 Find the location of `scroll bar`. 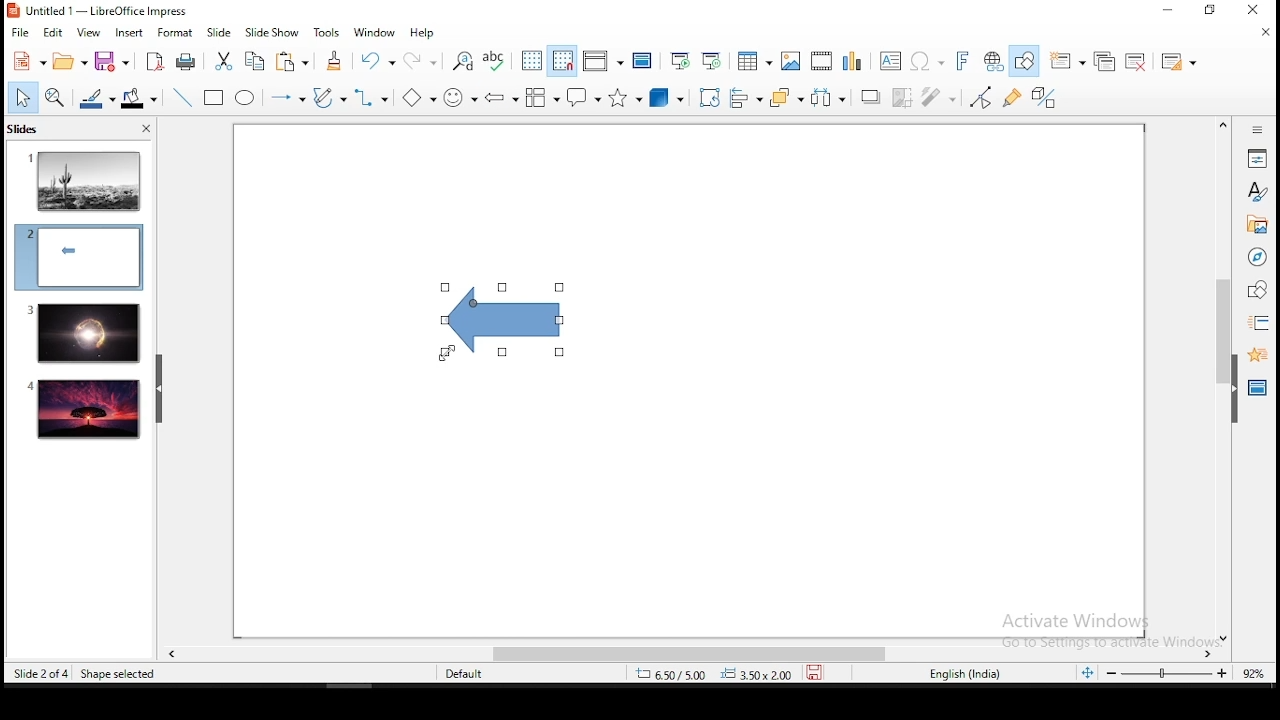

scroll bar is located at coordinates (1220, 380).